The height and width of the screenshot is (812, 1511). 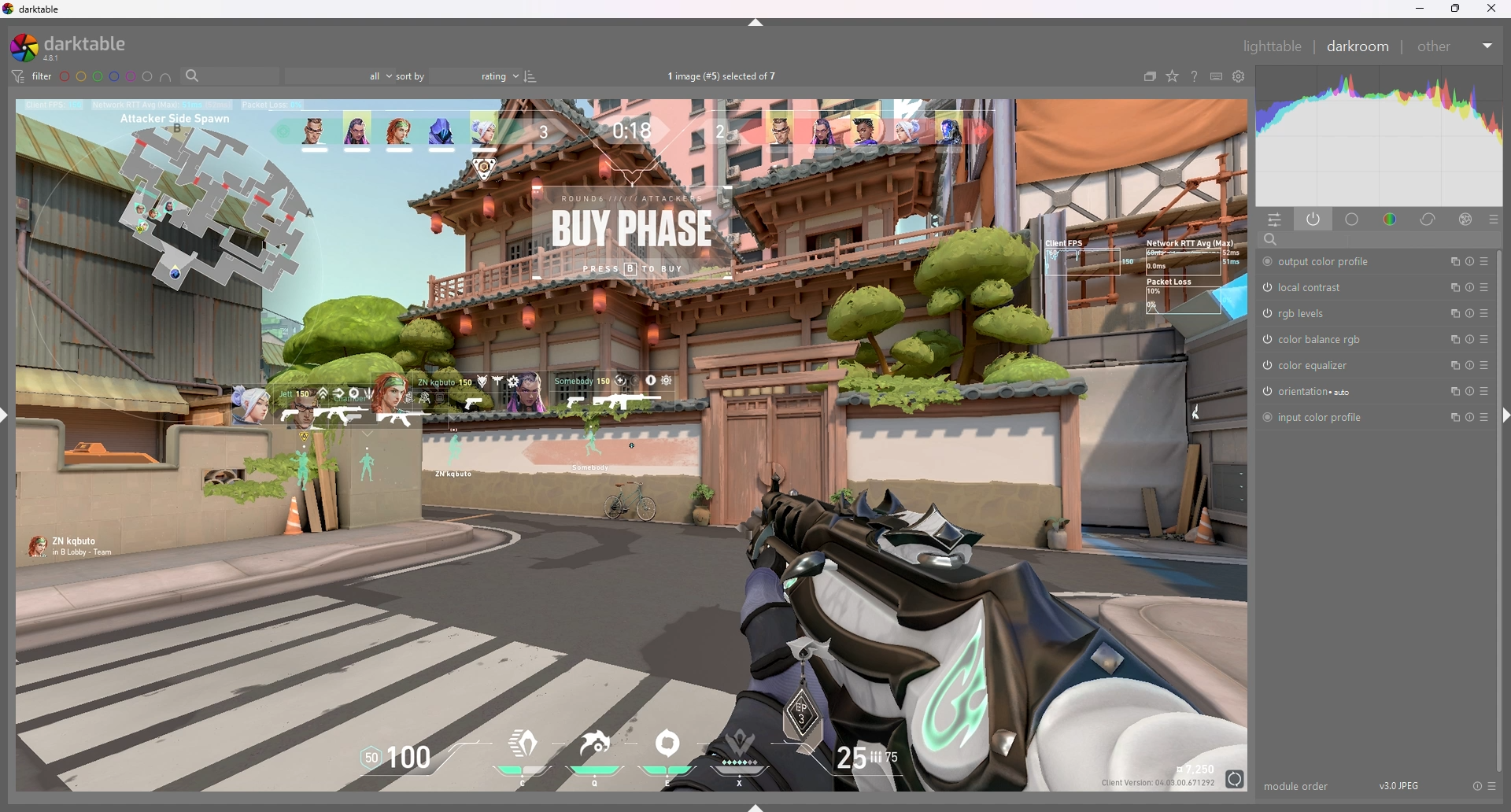 I want to click on multiple instances action, so click(x=1450, y=288).